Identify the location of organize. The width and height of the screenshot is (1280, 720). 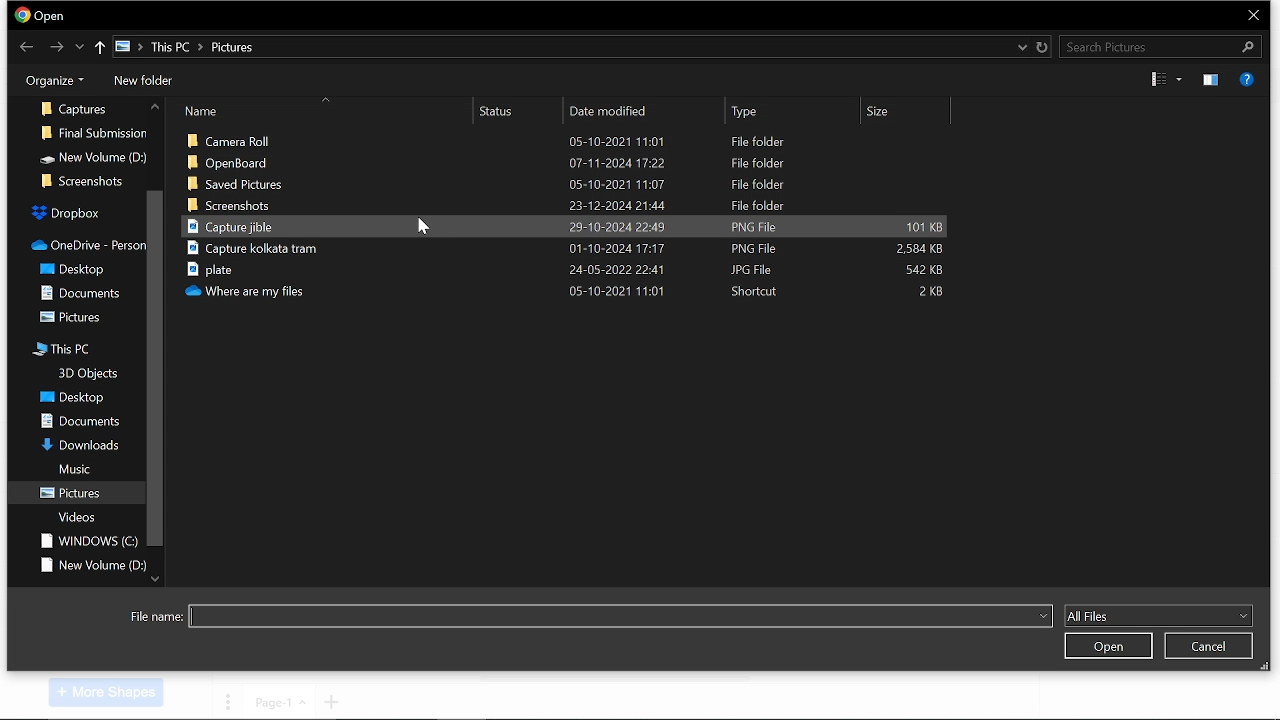
(50, 79).